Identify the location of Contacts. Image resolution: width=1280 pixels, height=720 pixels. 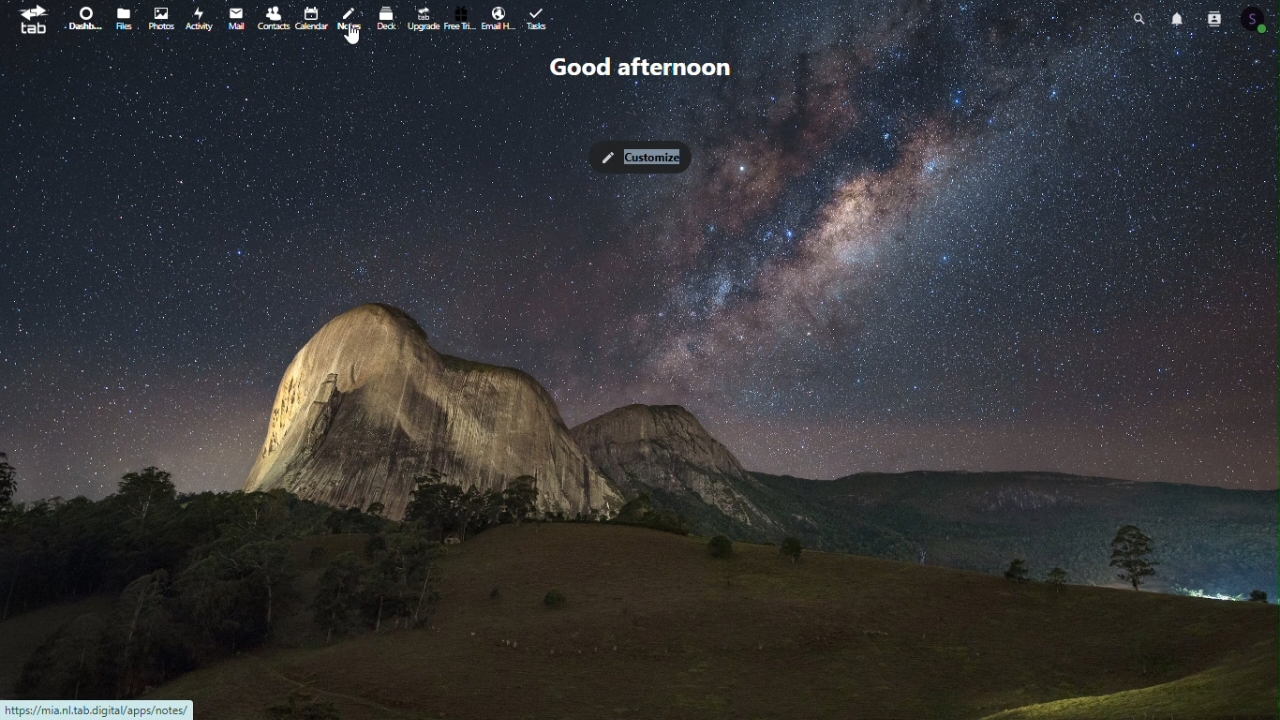
(1219, 15).